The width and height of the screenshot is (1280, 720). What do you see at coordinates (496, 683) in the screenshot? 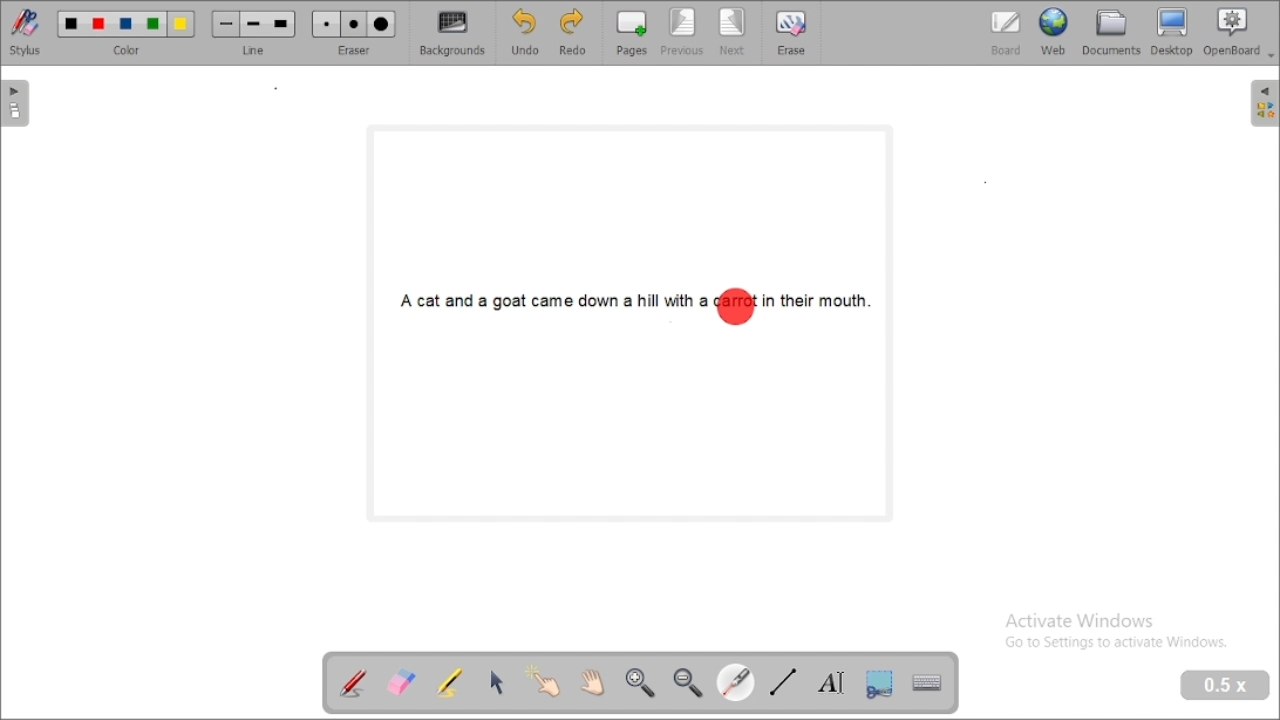
I see `select and modify objects` at bounding box center [496, 683].